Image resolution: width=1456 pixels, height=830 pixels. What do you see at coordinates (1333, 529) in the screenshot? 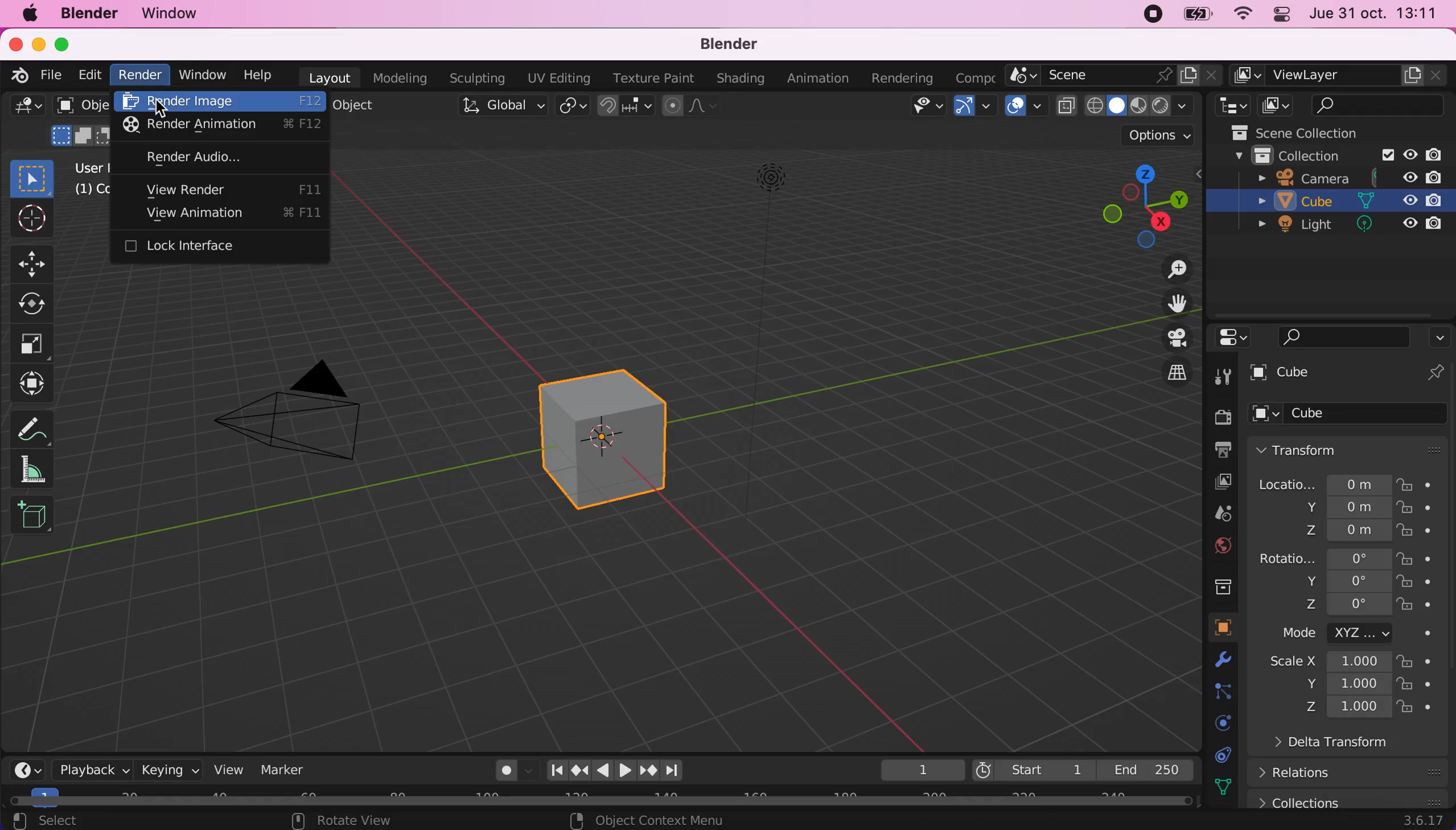
I see `location z` at bounding box center [1333, 529].